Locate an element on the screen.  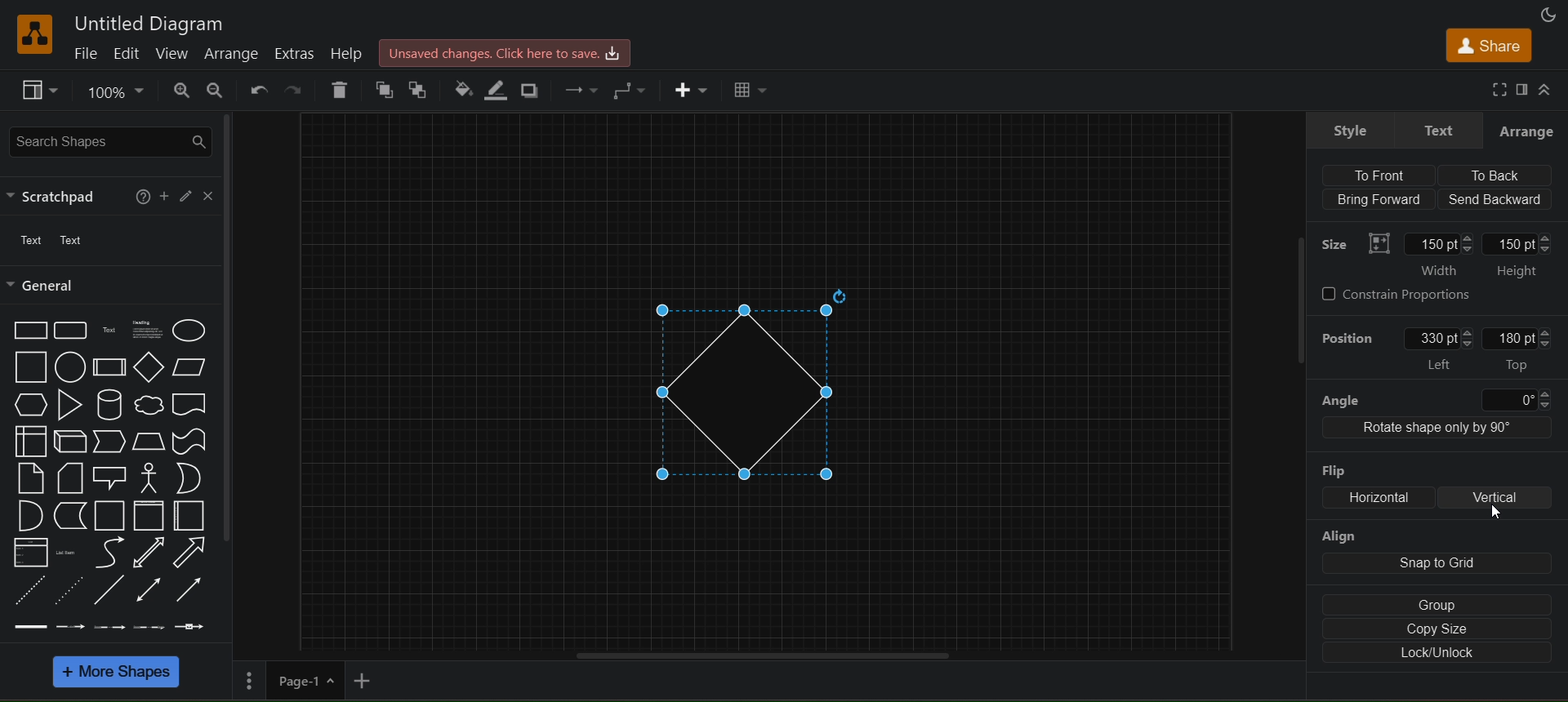
cube is located at coordinates (69, 441).